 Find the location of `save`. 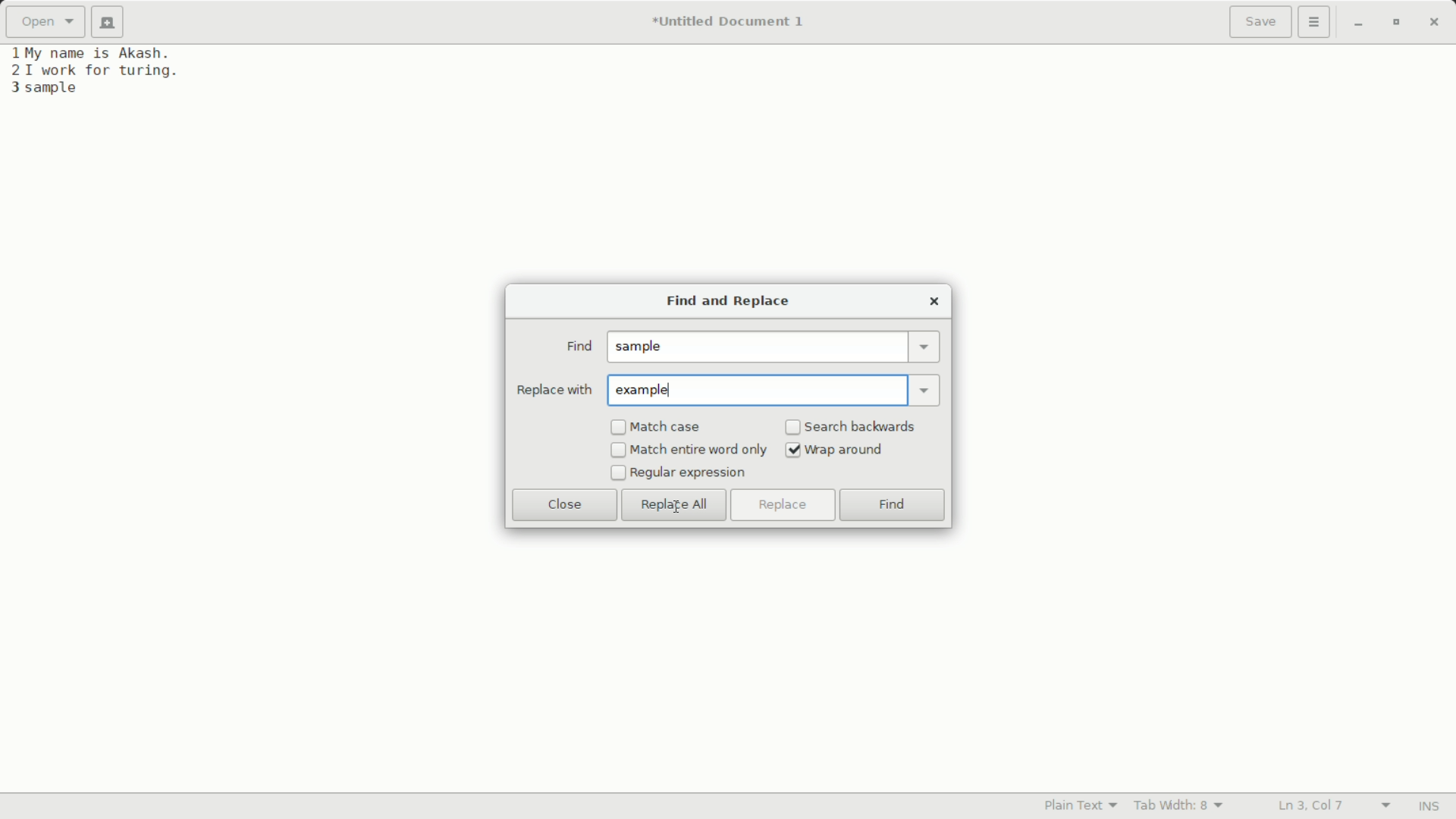

save is located at coordinates (1261, 24).